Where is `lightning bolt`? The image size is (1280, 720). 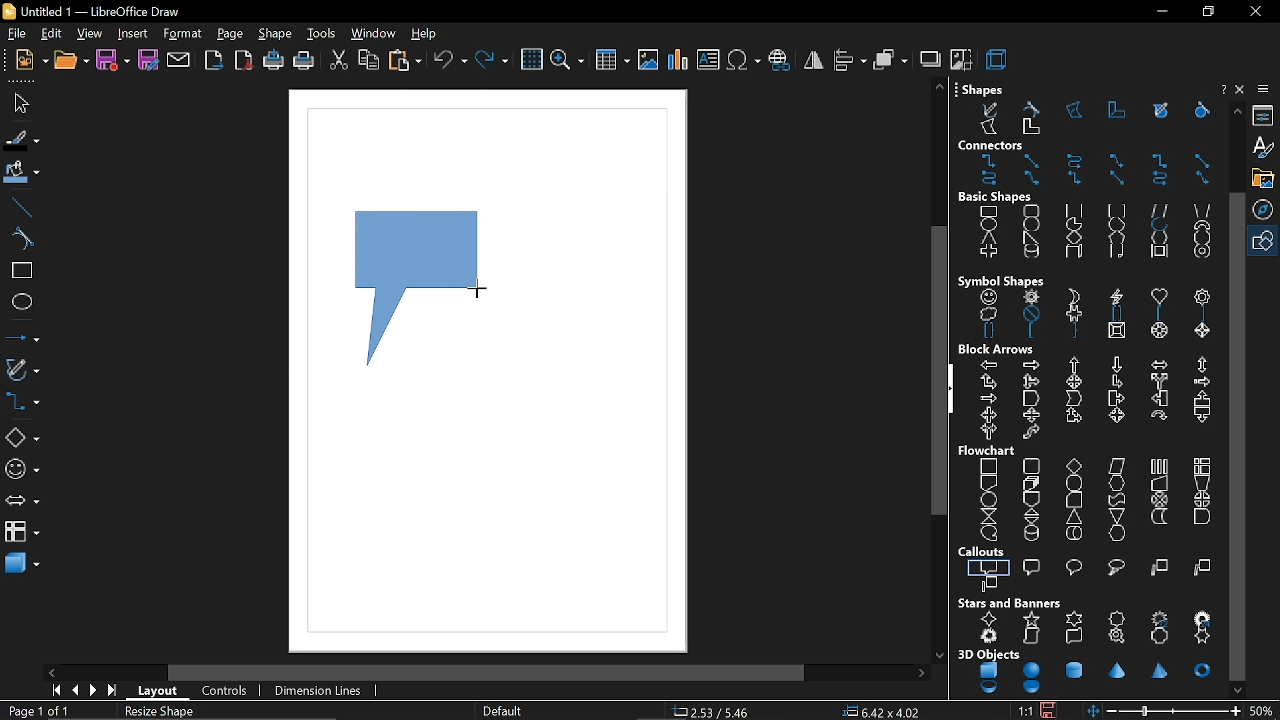
lightning bolt is located at coordinates (1113, 298).